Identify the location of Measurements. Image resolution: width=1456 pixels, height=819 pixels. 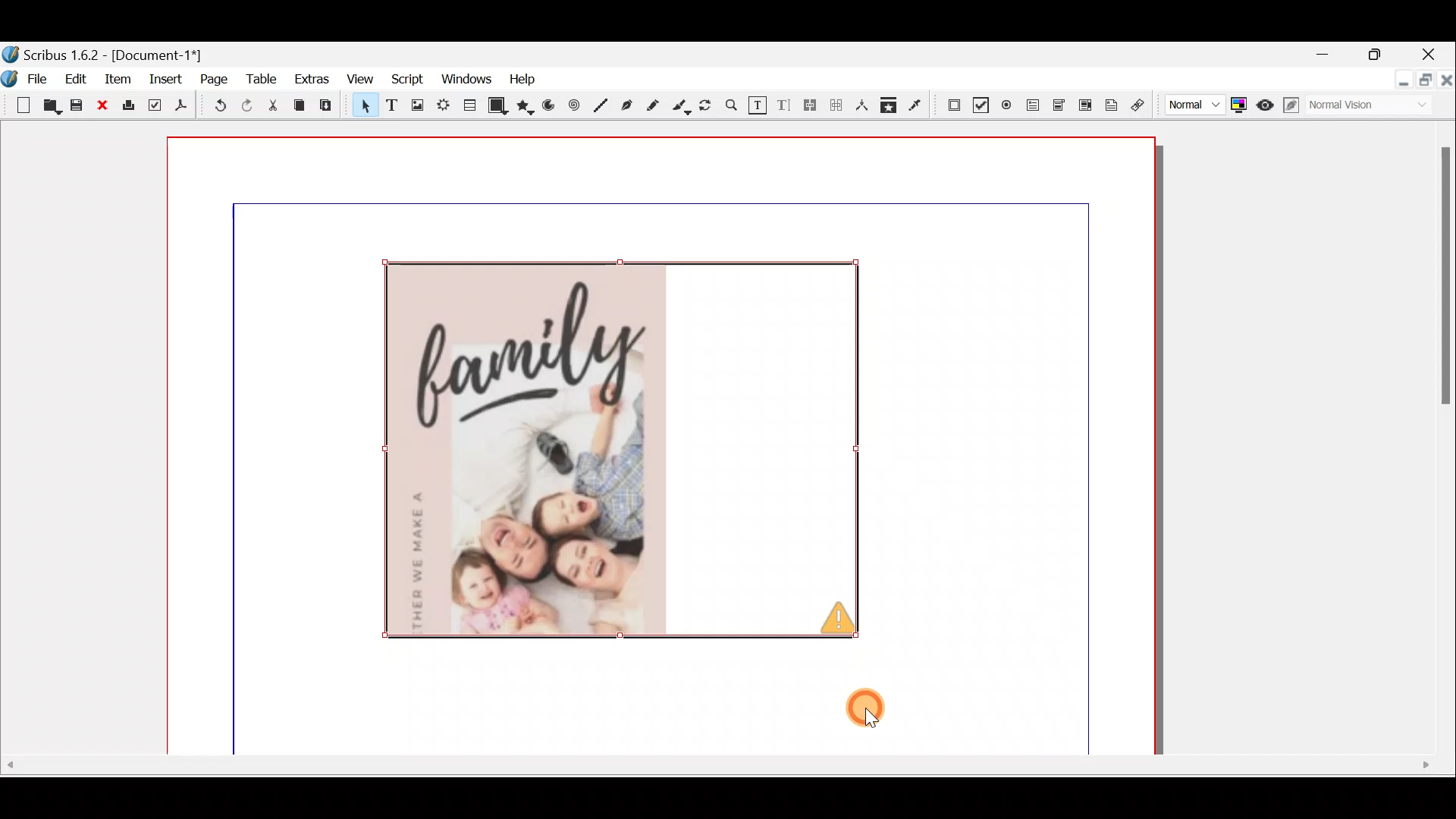
(863, 104).